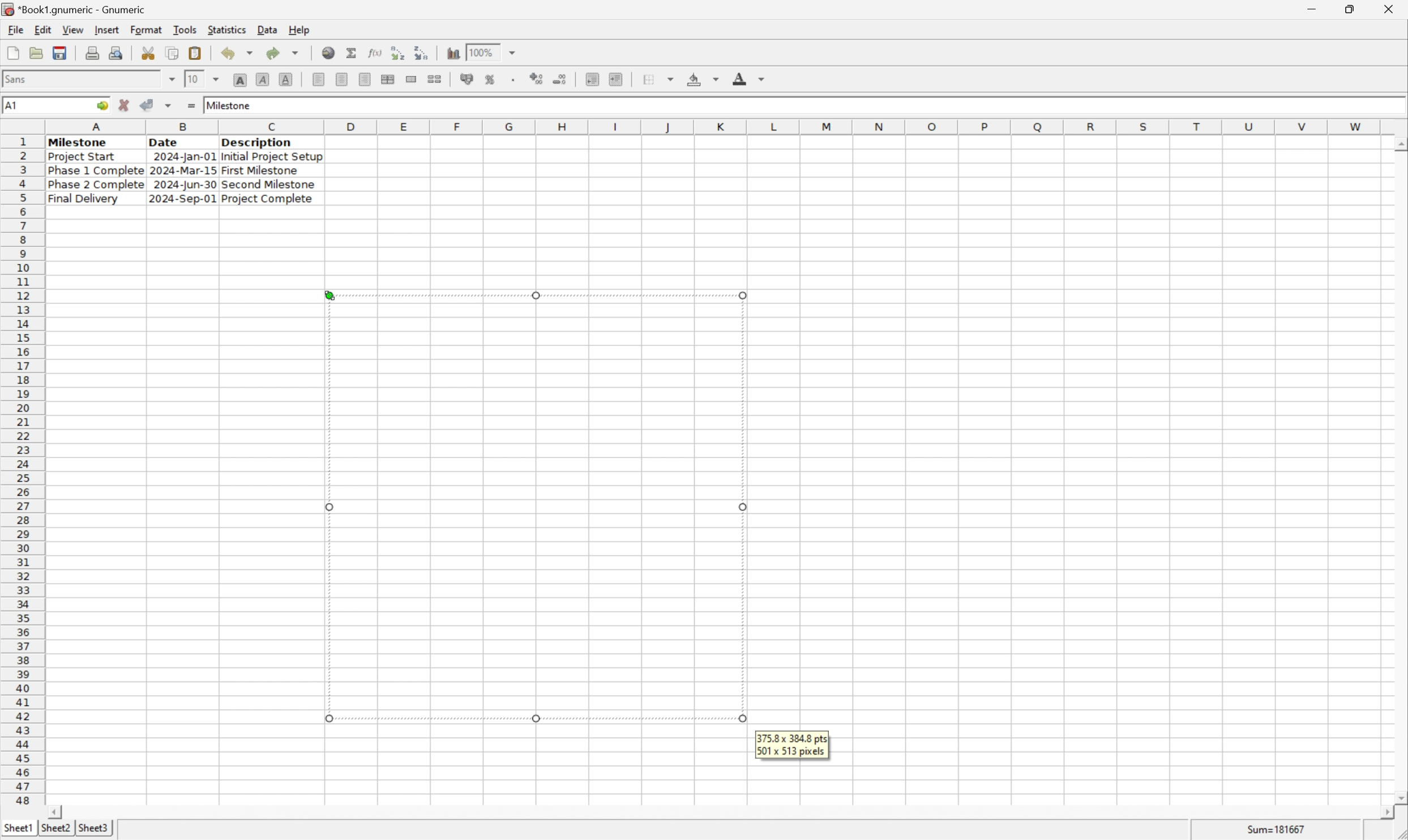 The image size is (1408, 840). Describe the element at coordinates (286, 79) in the screenshot. I see `underline` at that location.